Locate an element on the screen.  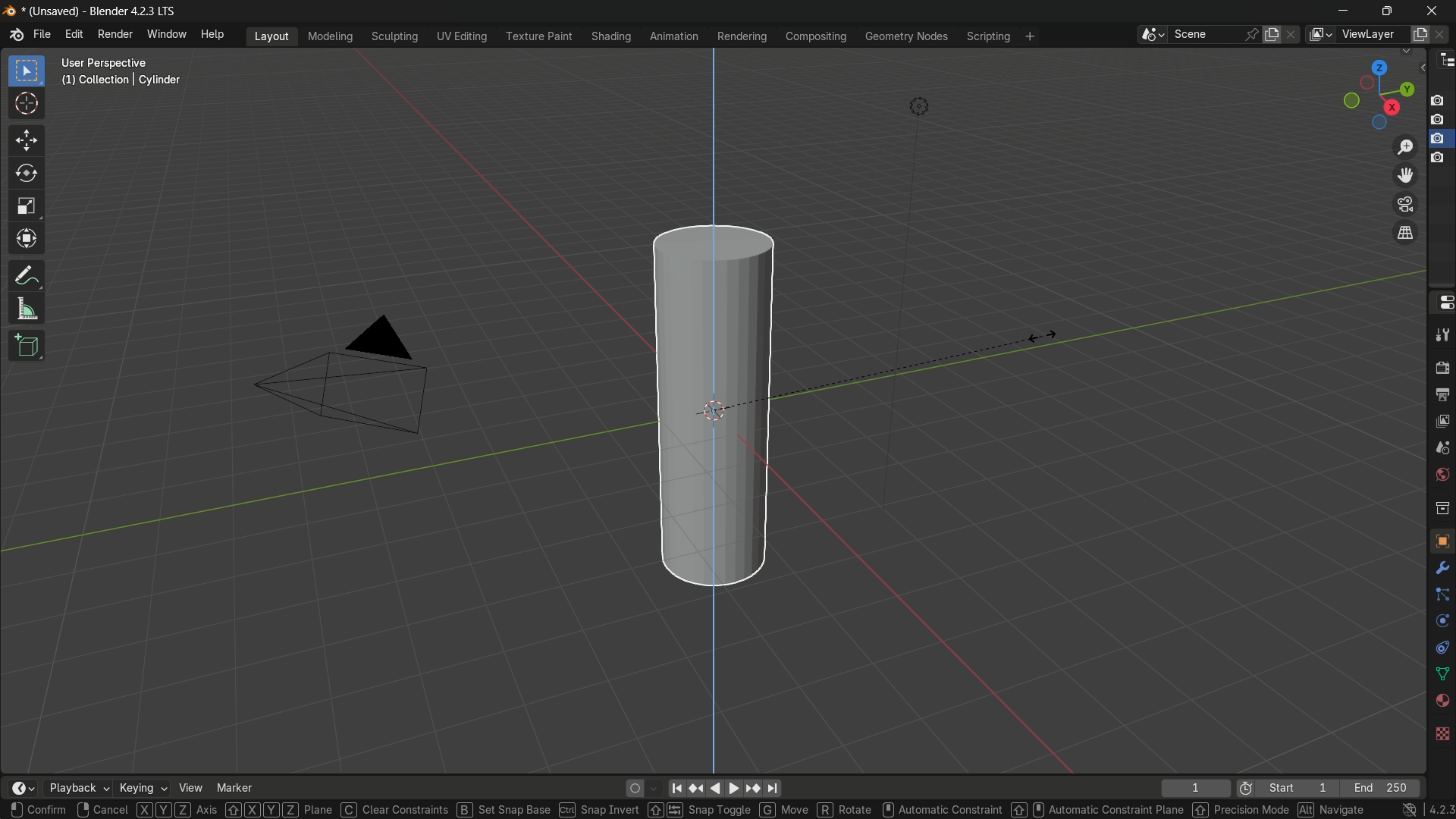
geometry nodes is located at coordinates (907, 37).